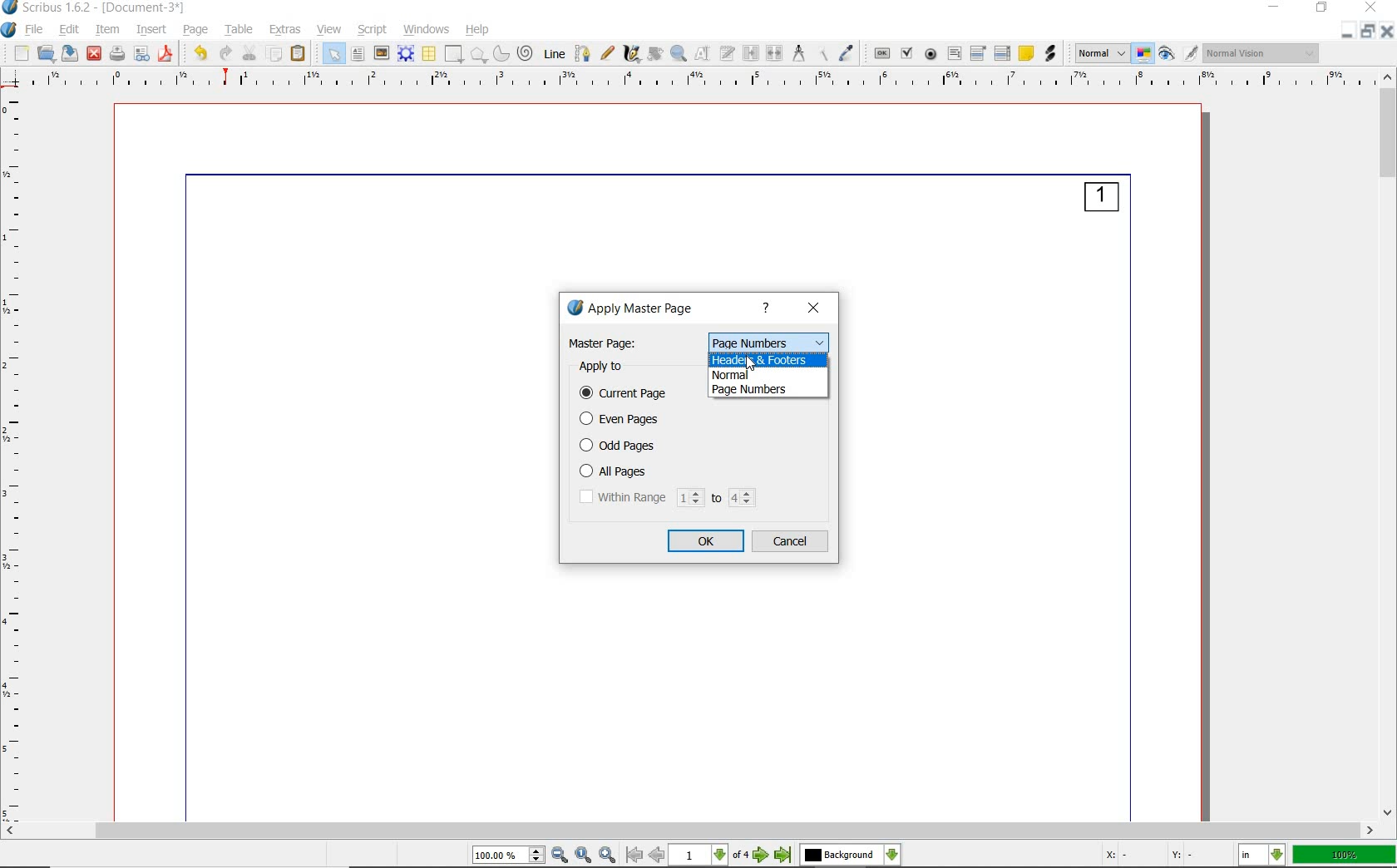  What do you see at coordinates (704, 81) in the screenshot?
I see `Ruler` at bounding box center [704, 81].